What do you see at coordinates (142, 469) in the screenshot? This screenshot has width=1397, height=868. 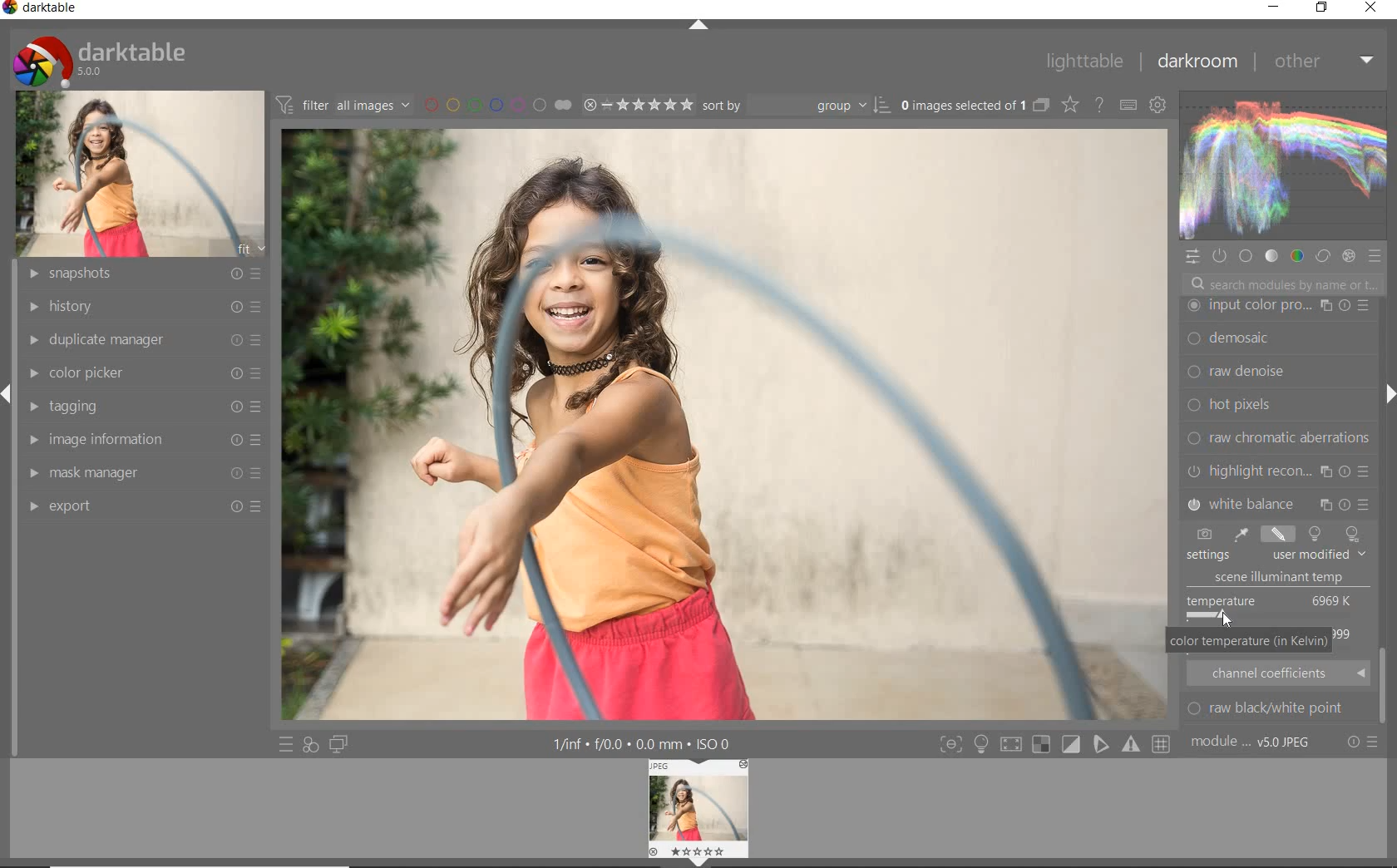 I see `mask manager` at bounding box center [142, 469].